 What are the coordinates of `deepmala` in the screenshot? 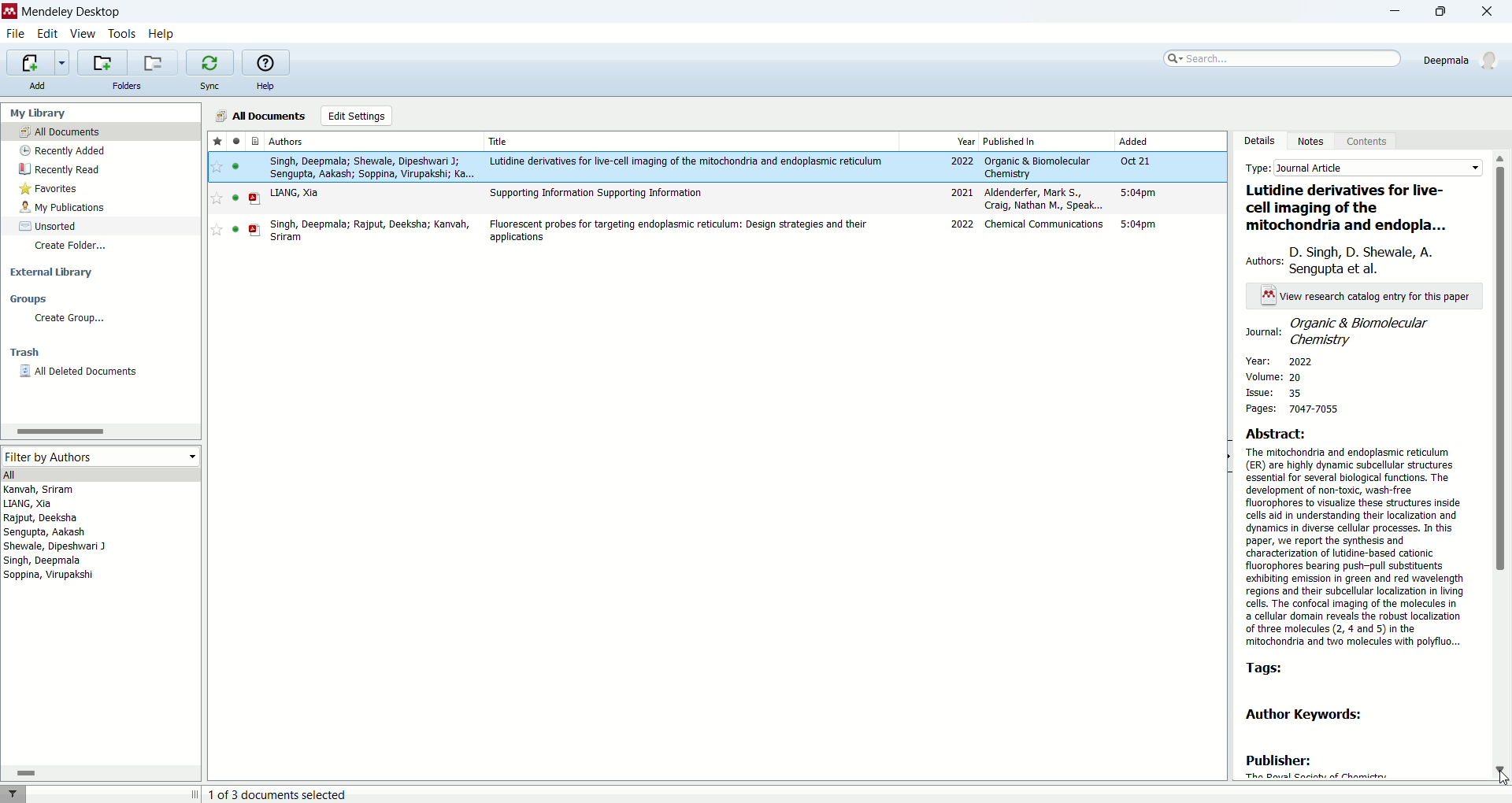 It's located at (1463, 60).